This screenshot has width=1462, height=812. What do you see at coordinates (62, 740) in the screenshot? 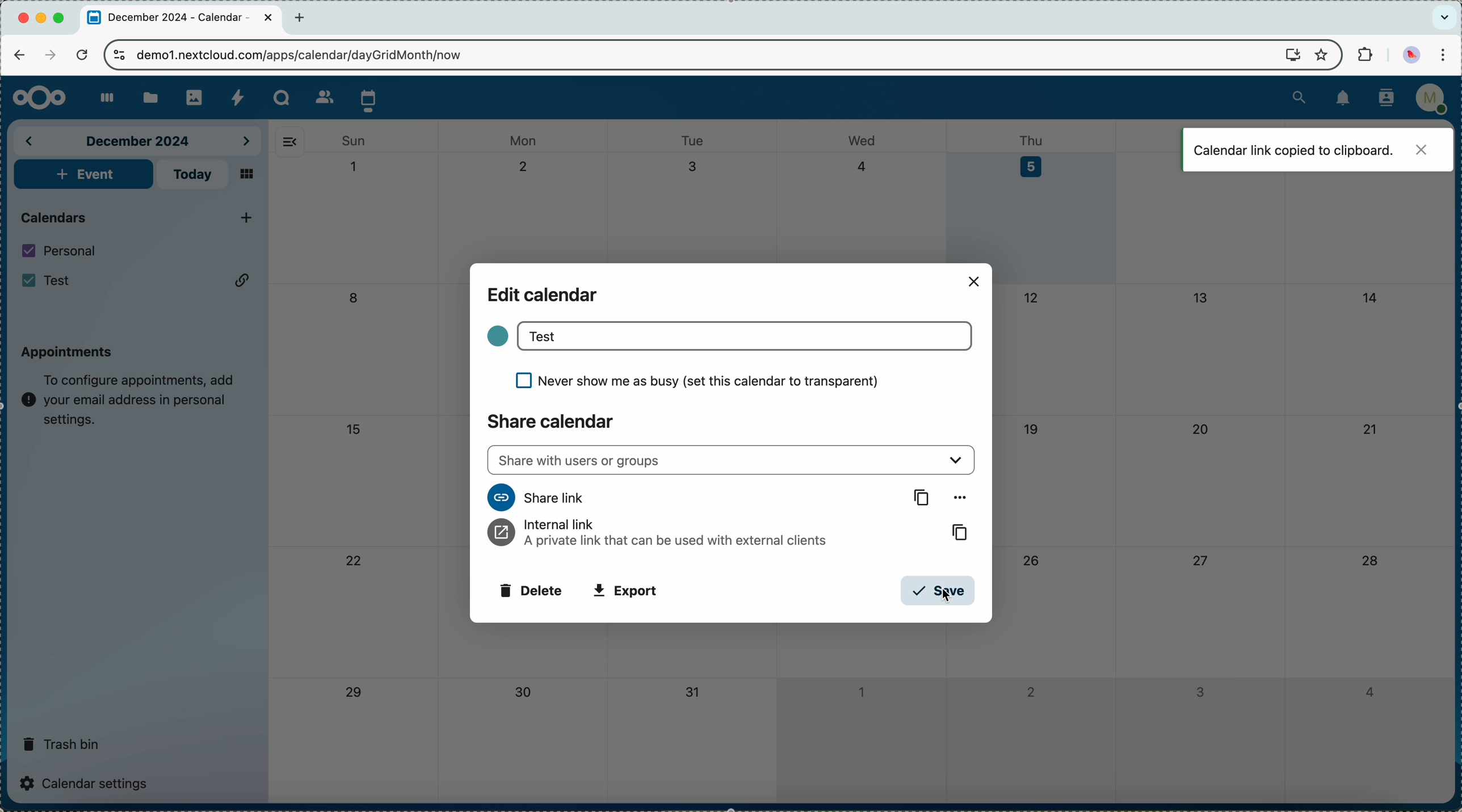
I see `trash bin` at bounding box center [62, 740].